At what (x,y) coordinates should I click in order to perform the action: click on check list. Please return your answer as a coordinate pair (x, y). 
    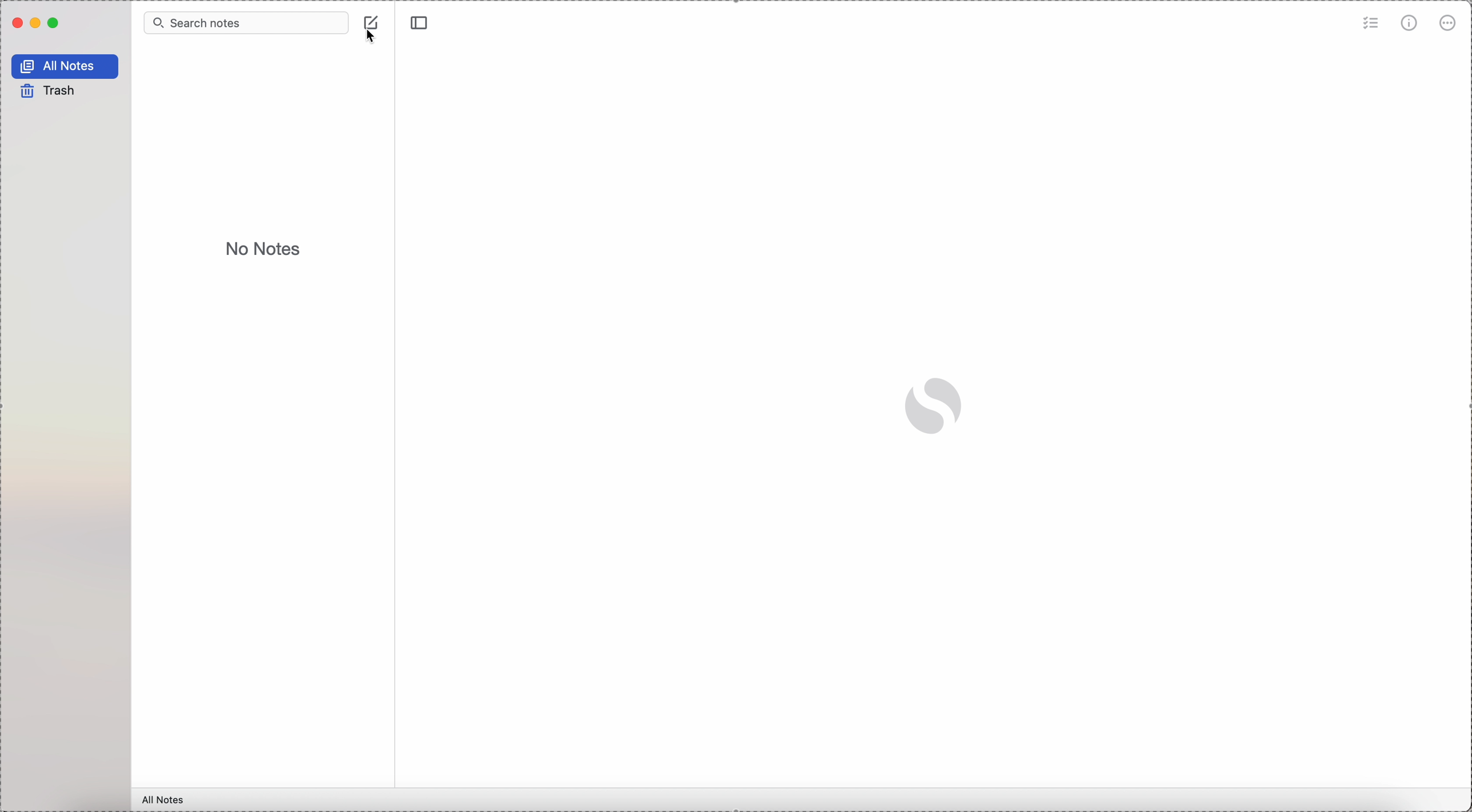
    Looking at the image, I should click on (1369, 26).